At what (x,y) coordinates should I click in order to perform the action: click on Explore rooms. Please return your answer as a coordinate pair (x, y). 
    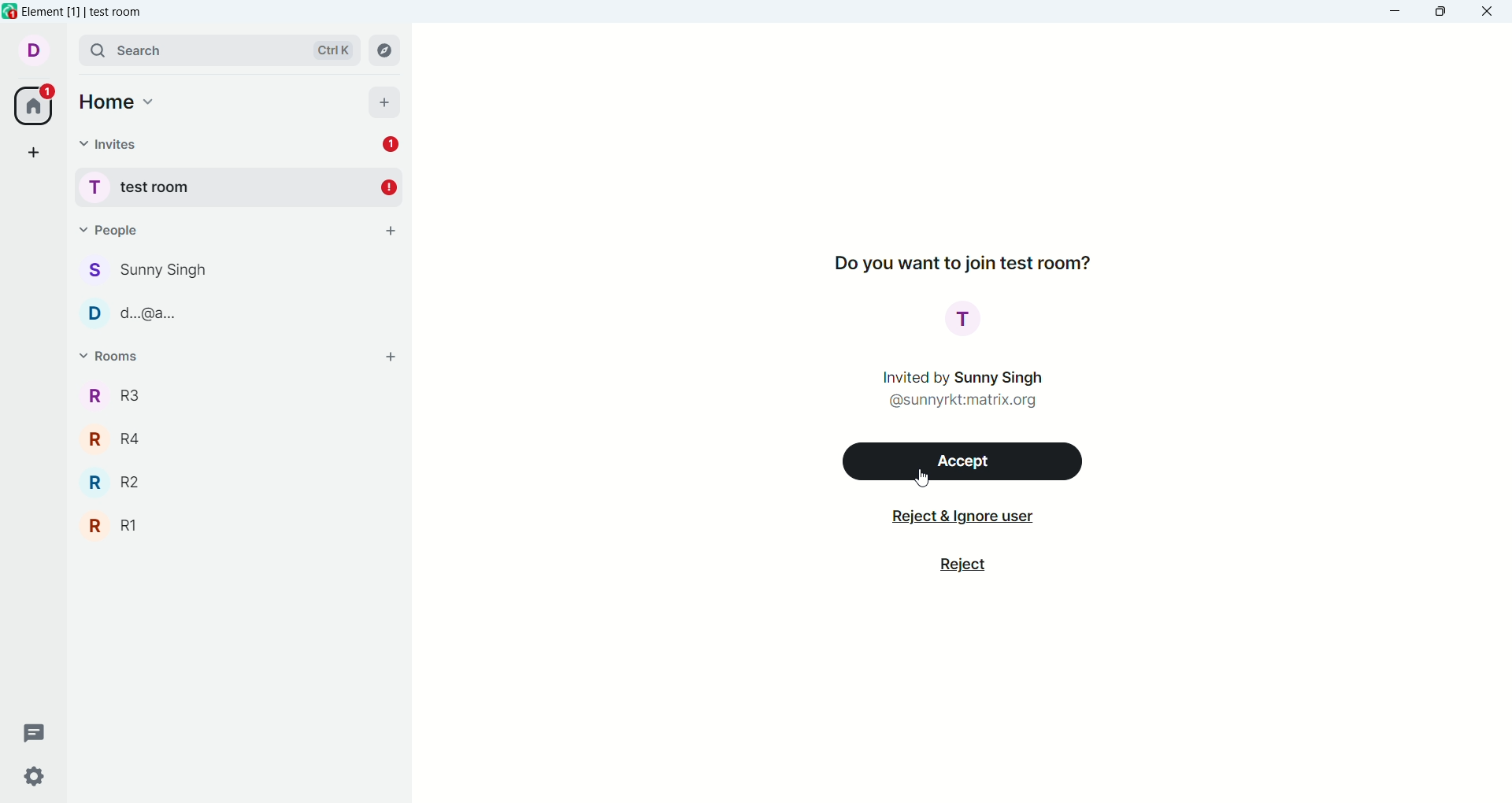
    Looking at the image, I should click on (386, 50).